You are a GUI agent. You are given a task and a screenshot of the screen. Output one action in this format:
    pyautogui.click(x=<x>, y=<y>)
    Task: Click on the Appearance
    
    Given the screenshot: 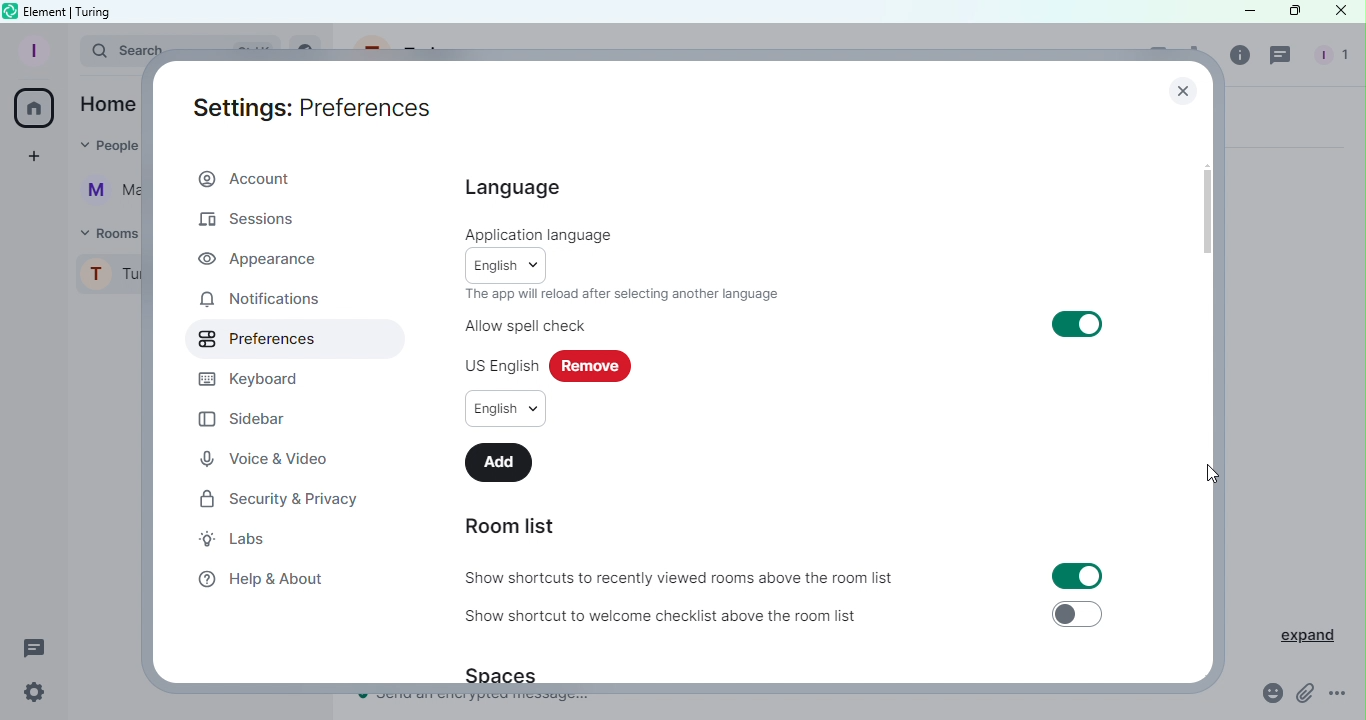 What is the action you would take?
    pyautogui.click(x=260, y=259)
    